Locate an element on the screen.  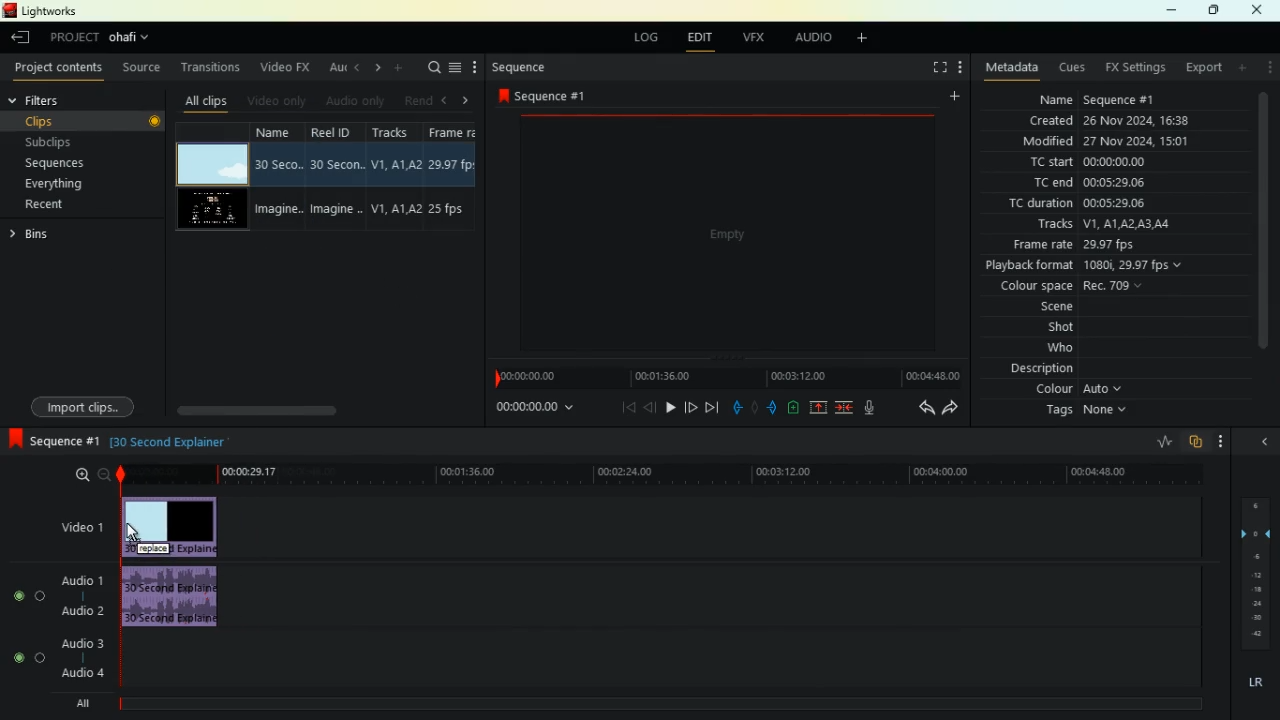
description is located at coordinates (1040, 368).